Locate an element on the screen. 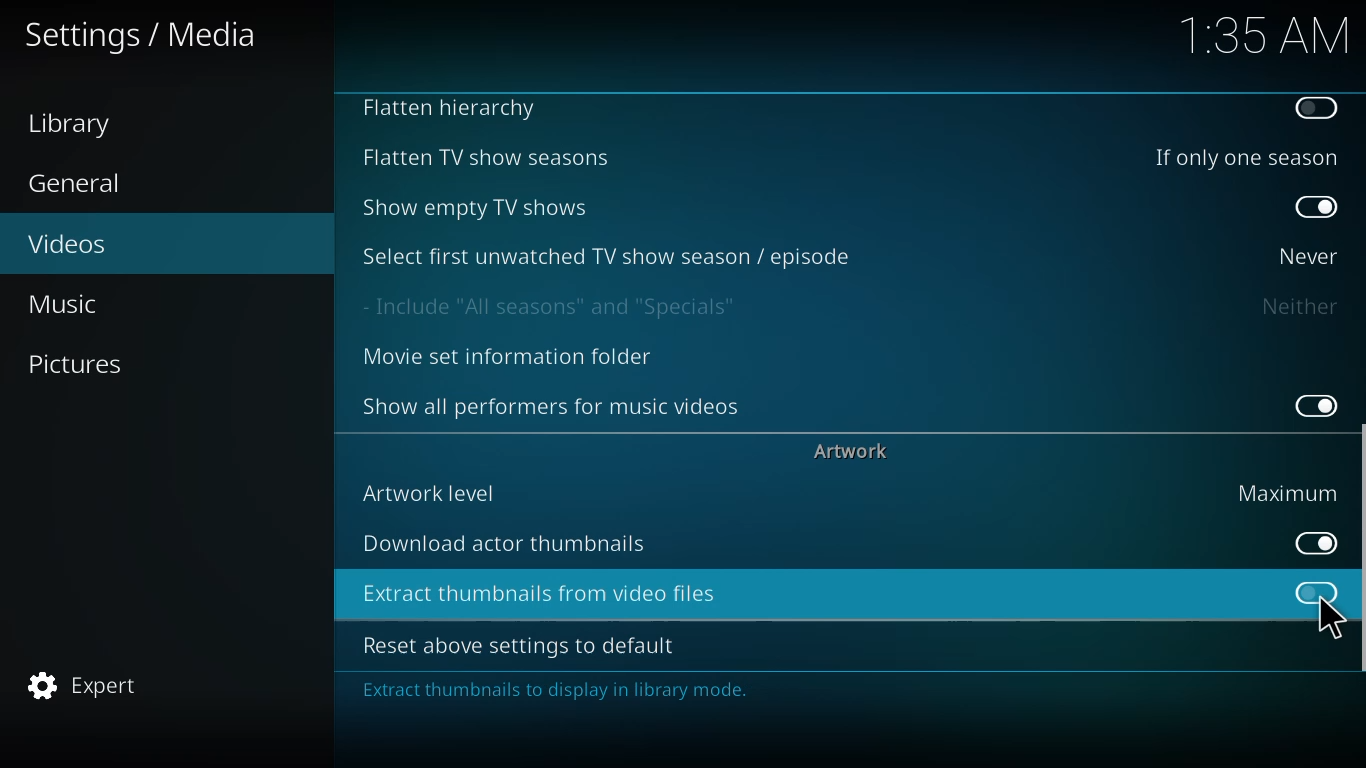 This screenshot has height=768, width=1366. extract thumbnails is located at coordinates (543, 594).